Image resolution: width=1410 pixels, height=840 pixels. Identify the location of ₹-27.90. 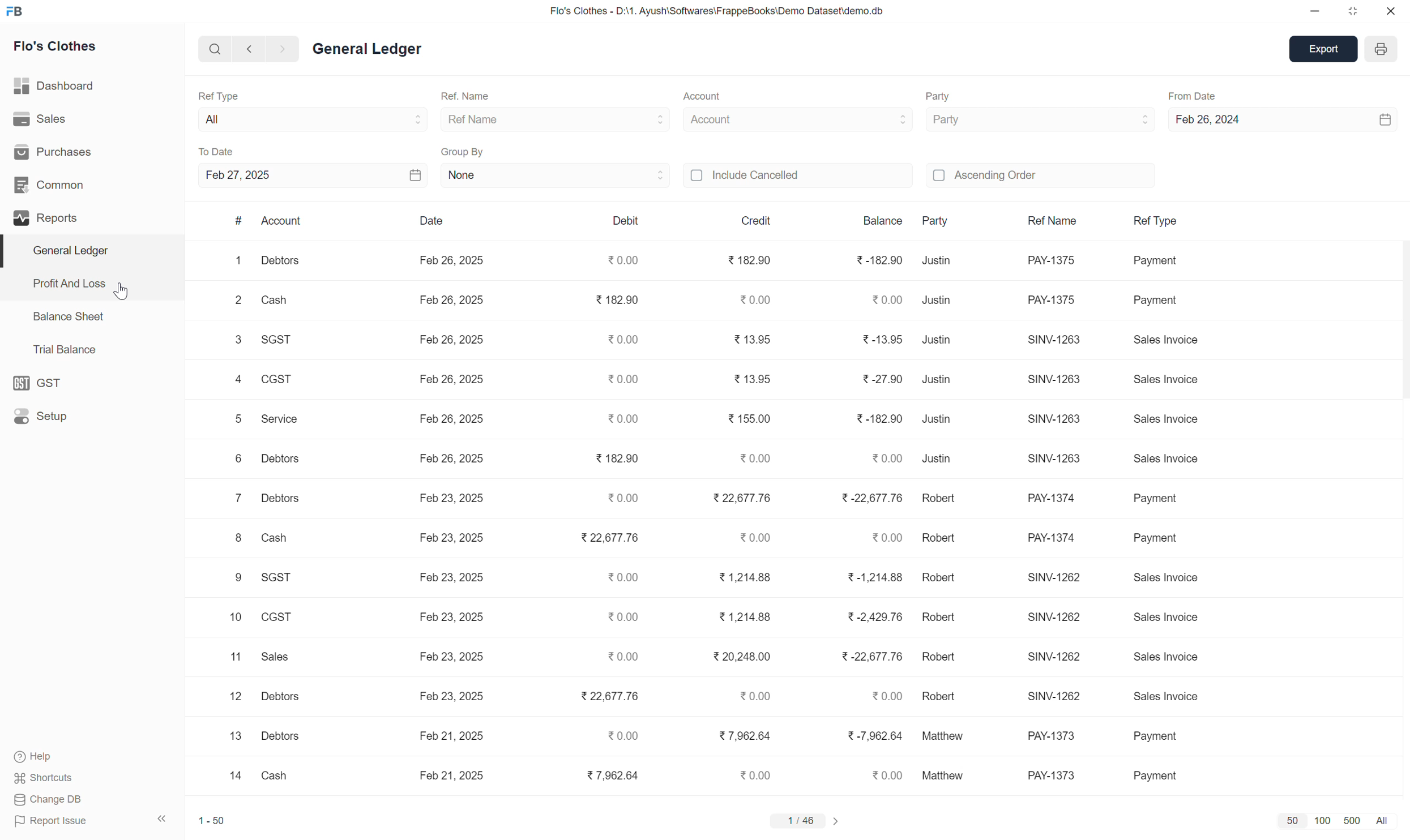
(877, 379).